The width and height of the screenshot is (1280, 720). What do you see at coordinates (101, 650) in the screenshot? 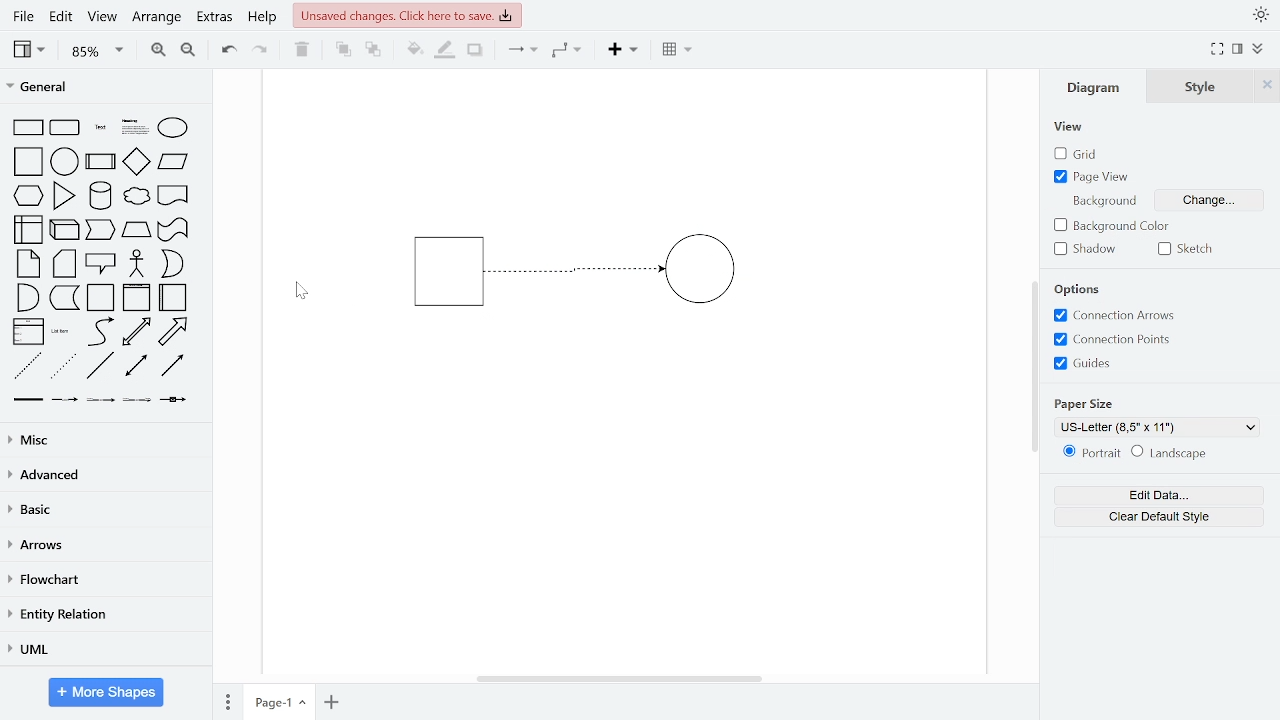
I see `UML` at bounding box center [101, 650].